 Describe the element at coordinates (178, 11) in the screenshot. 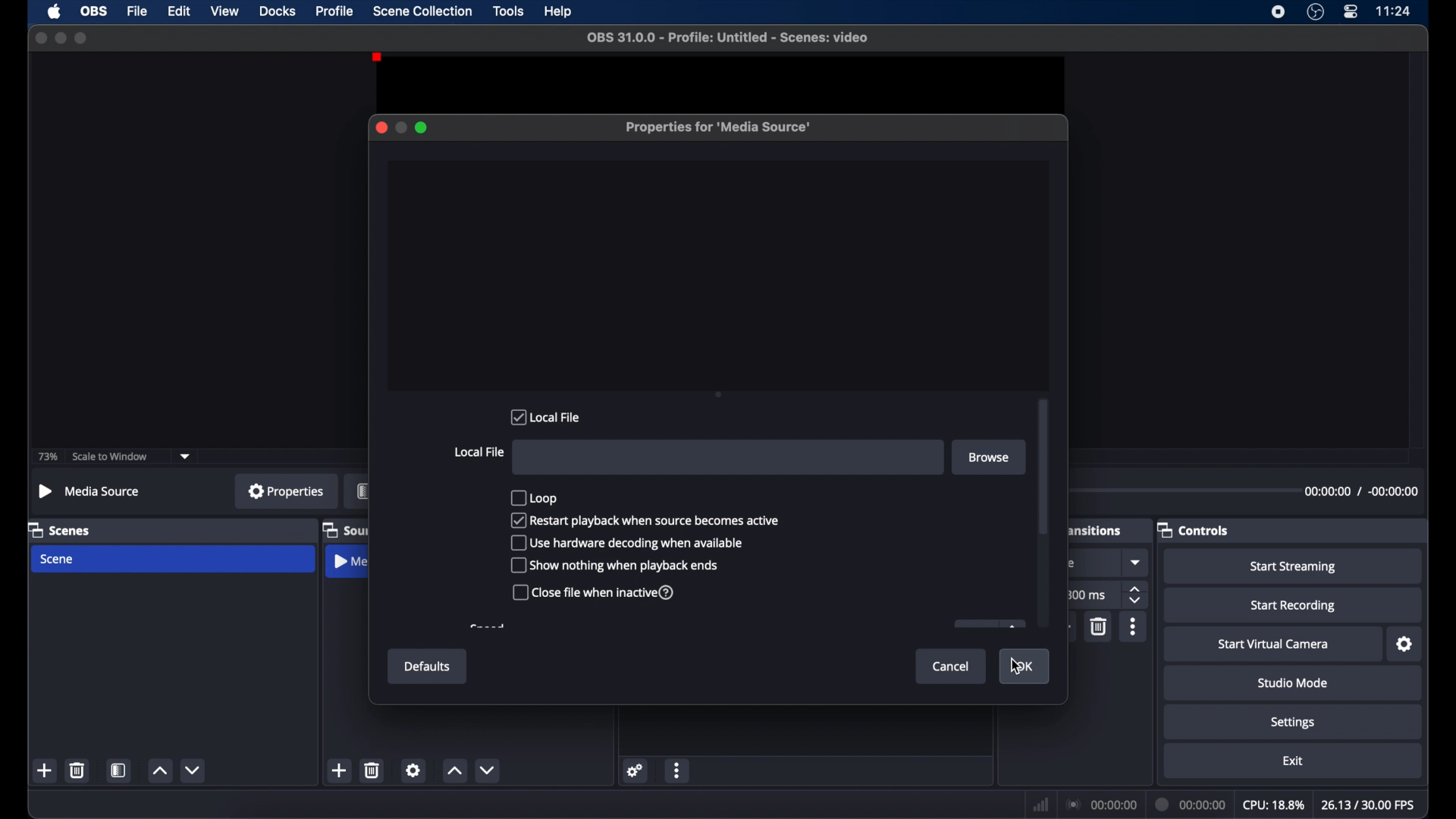

I see `edit` at that location.